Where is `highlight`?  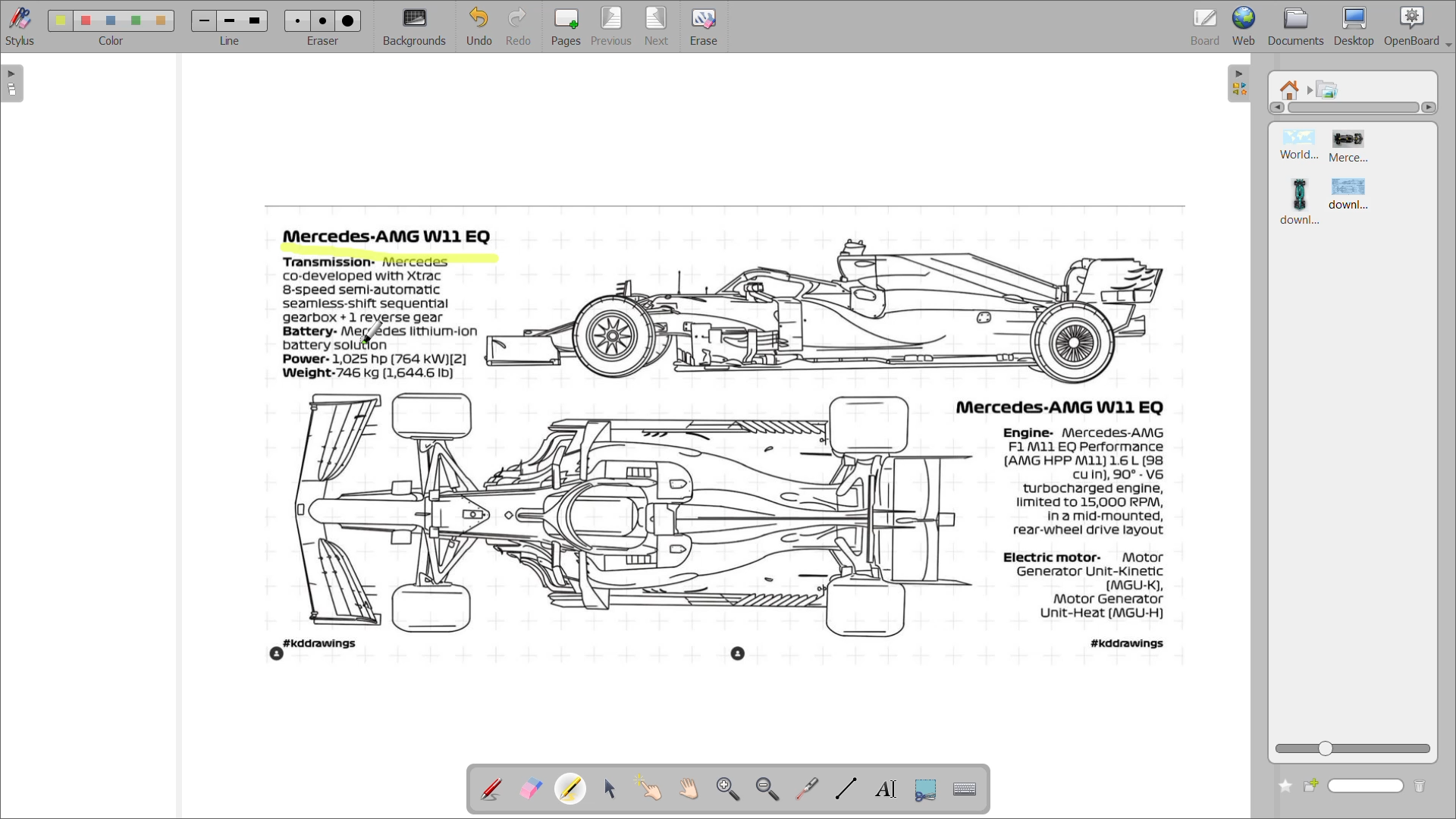 highlight is located at coordinates (573, 789).